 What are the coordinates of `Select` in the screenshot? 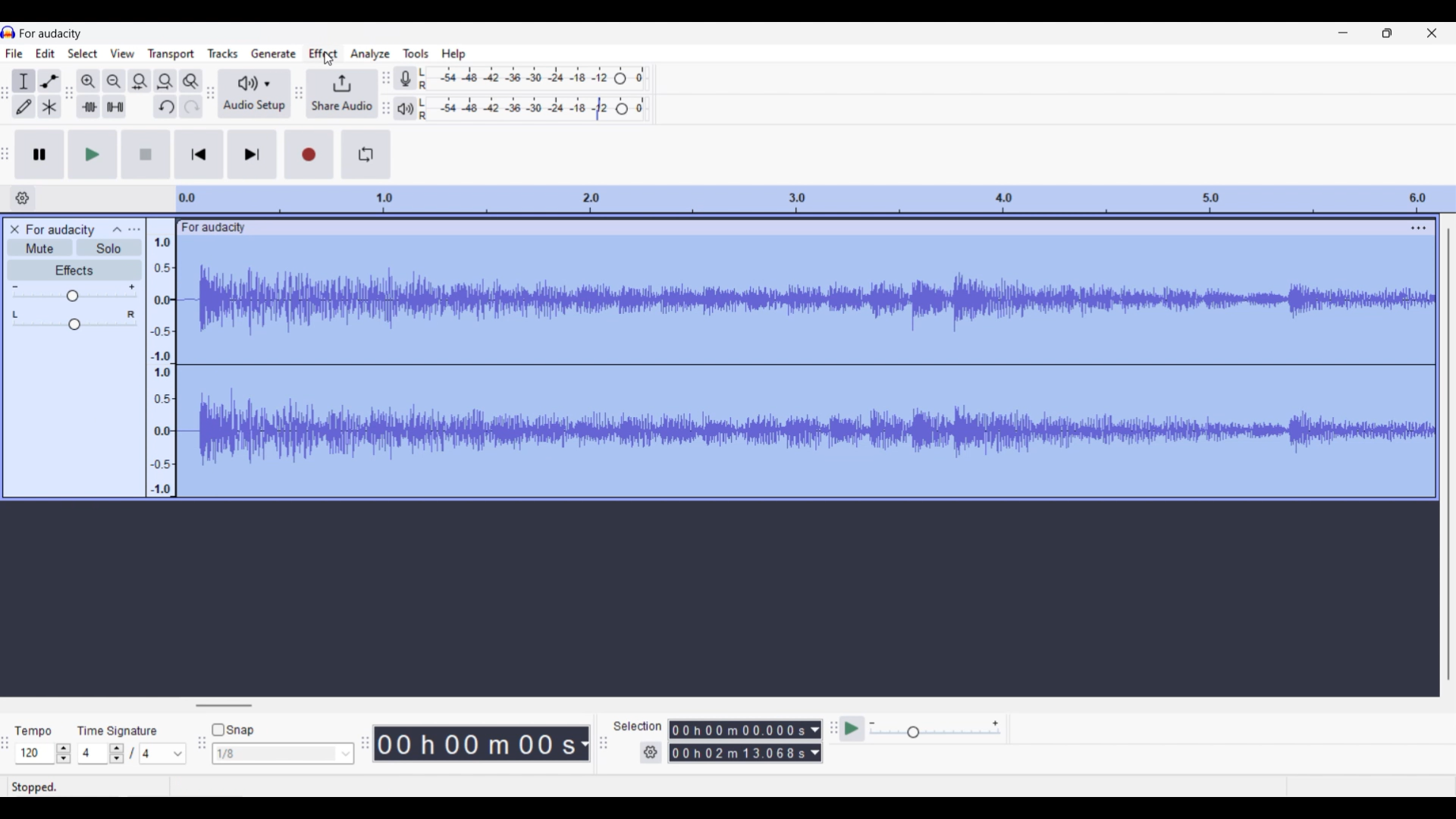 It's located at (83, 53).